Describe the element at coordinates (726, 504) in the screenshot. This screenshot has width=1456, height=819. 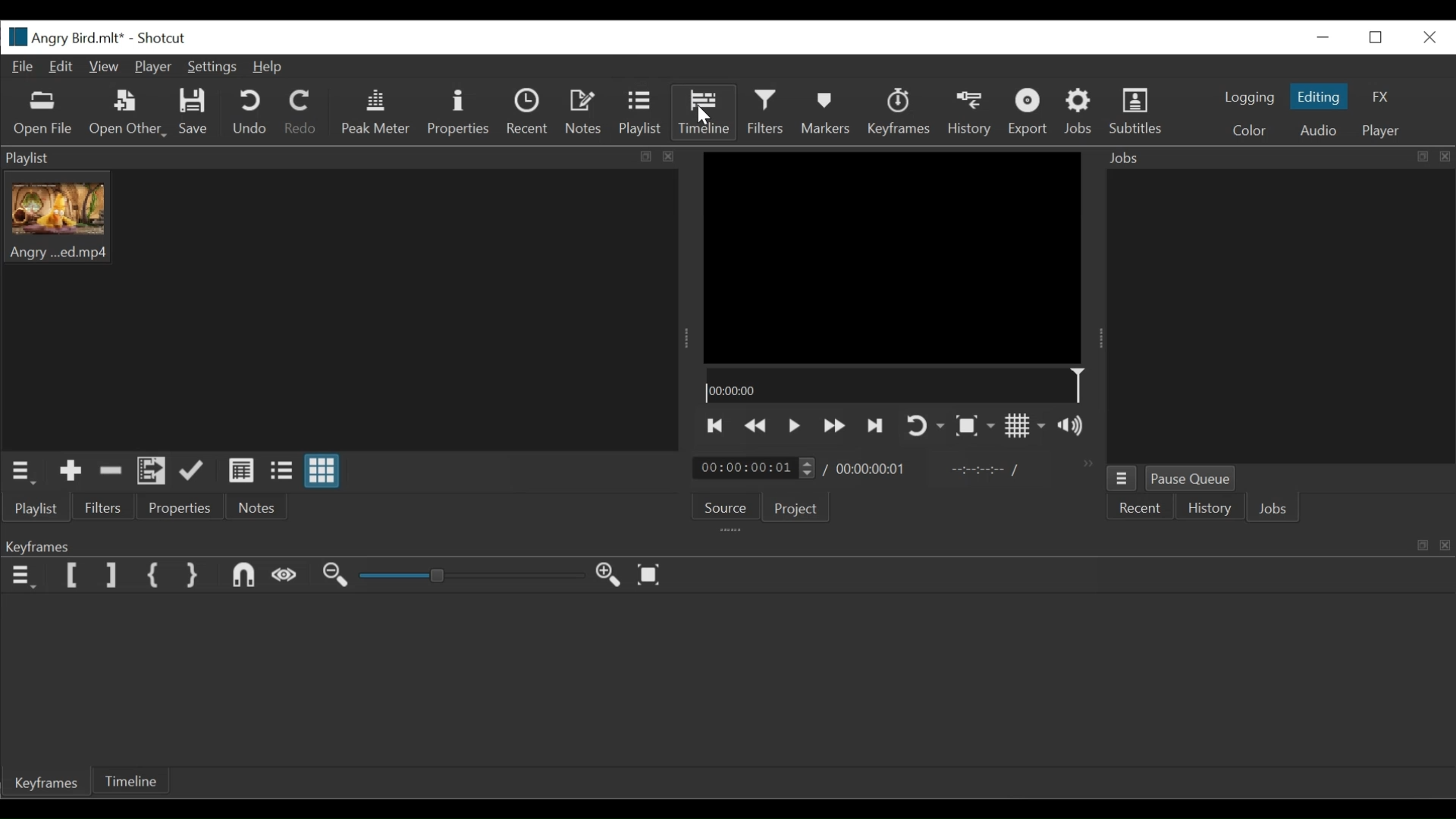
I see `Source` at that location.